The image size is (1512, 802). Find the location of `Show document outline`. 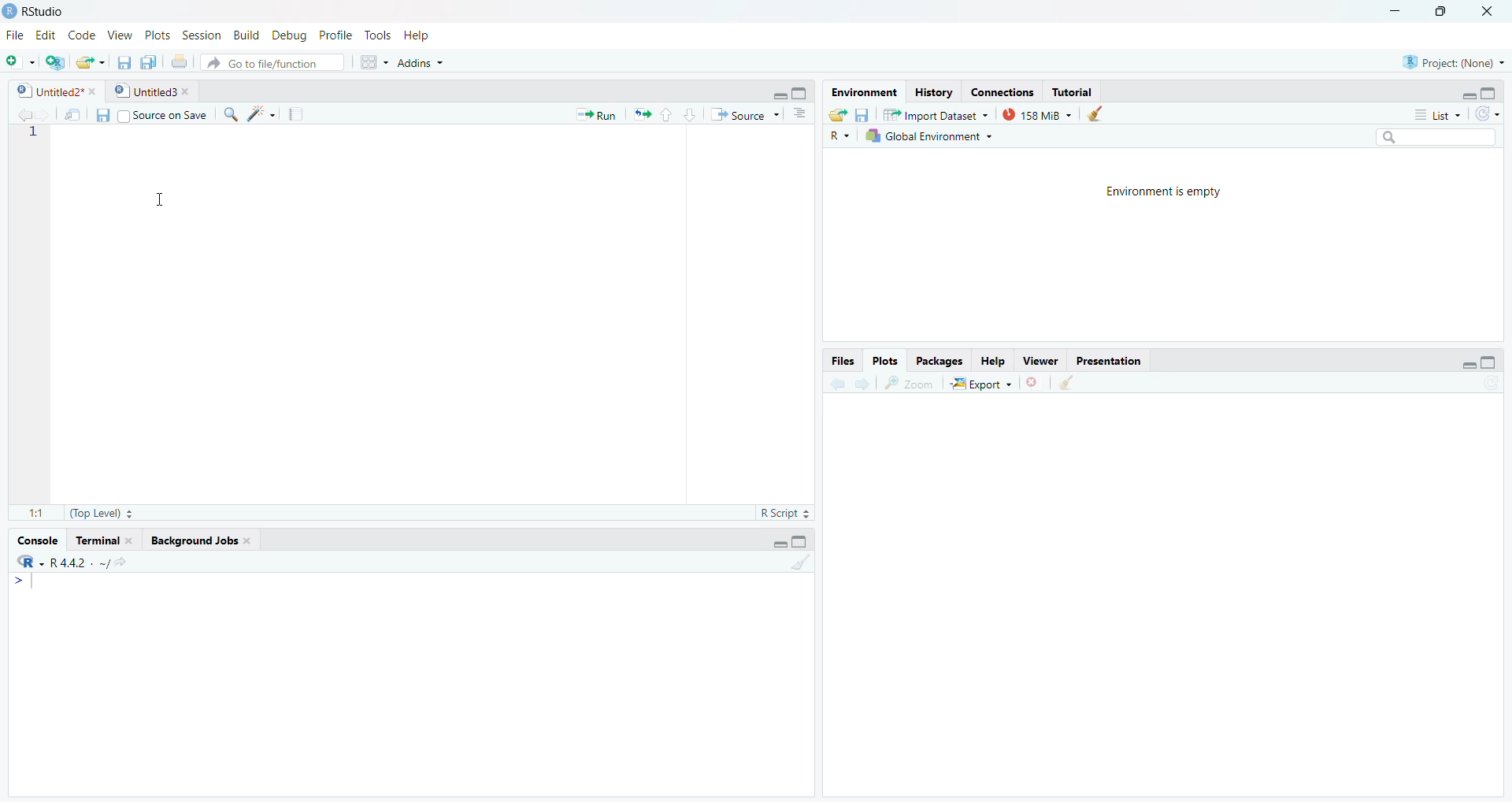

Show document outline is located at coordinates (803, 113).